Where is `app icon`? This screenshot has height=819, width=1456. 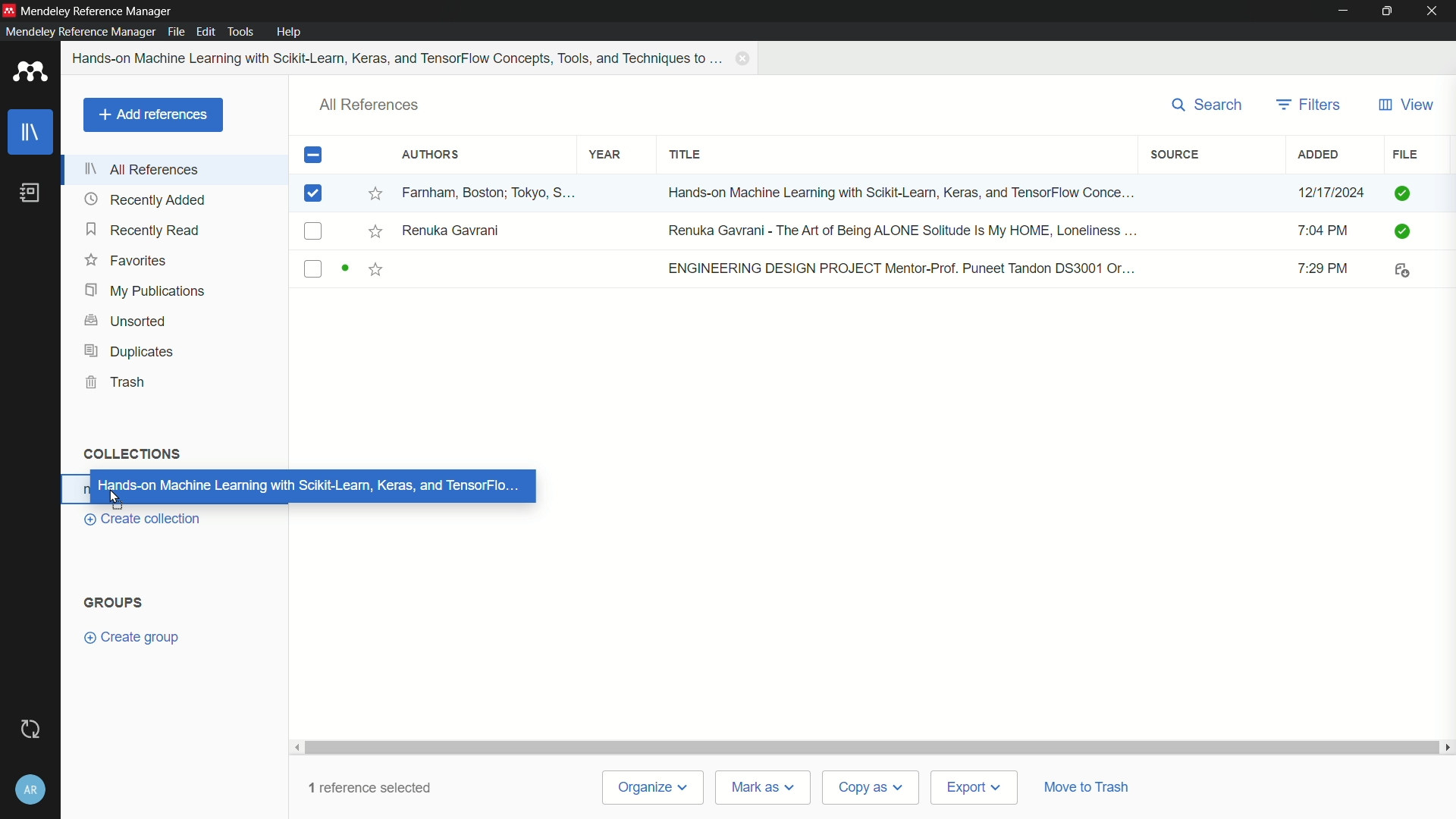 app icon is located at coordinates (30, 74).